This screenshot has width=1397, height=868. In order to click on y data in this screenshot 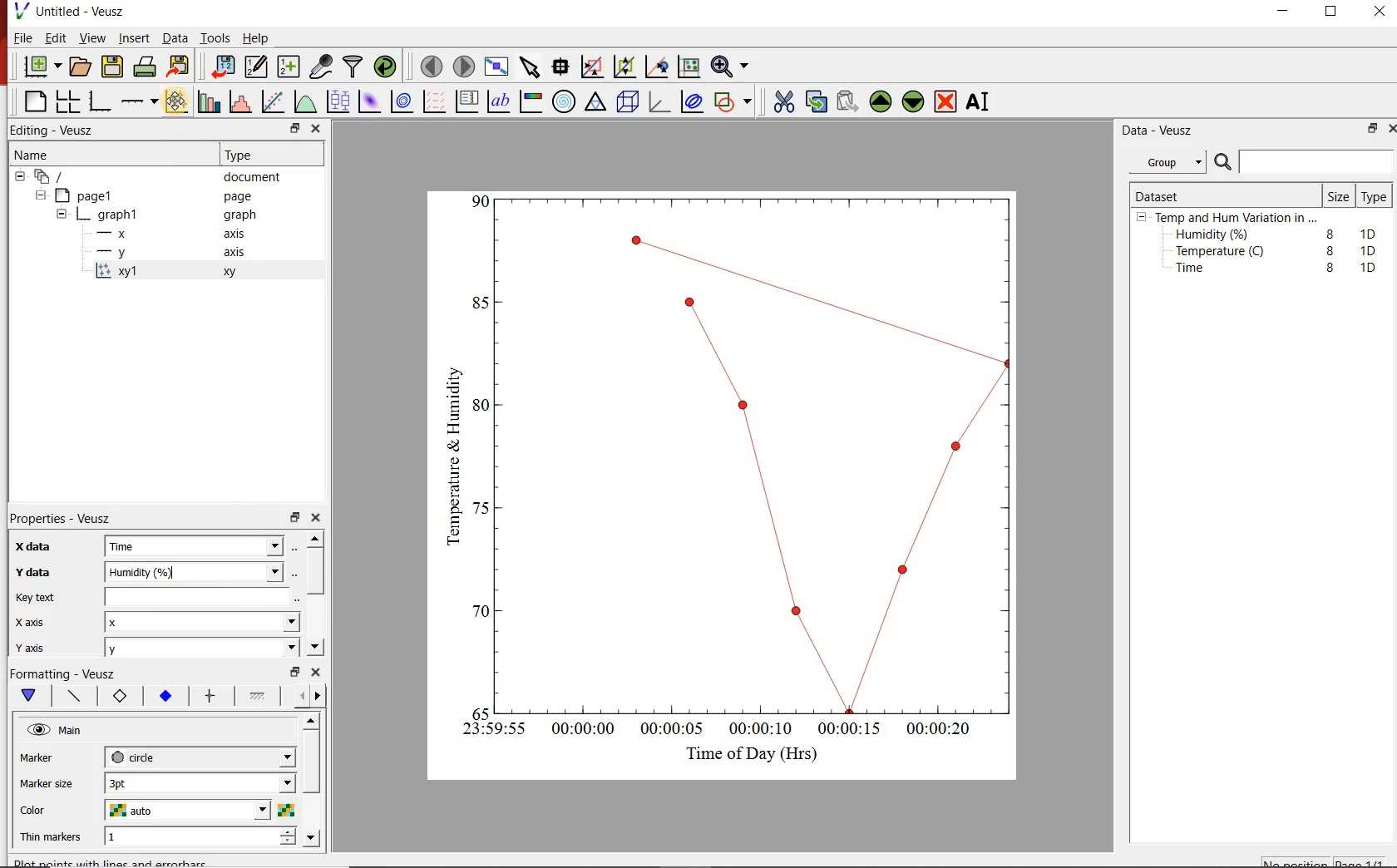, I will do `click(37, 570)`.